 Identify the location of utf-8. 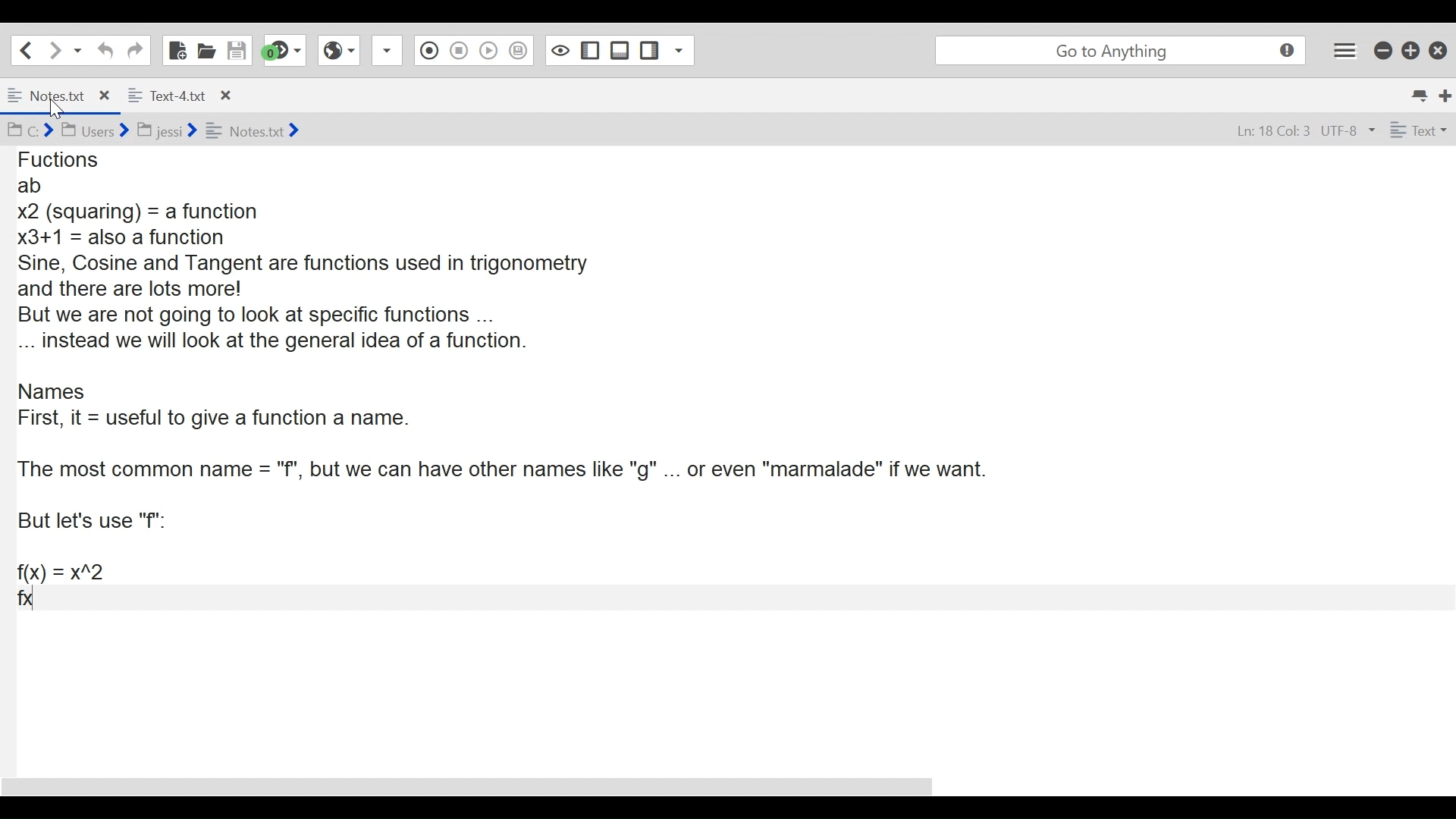
(1348, 131).